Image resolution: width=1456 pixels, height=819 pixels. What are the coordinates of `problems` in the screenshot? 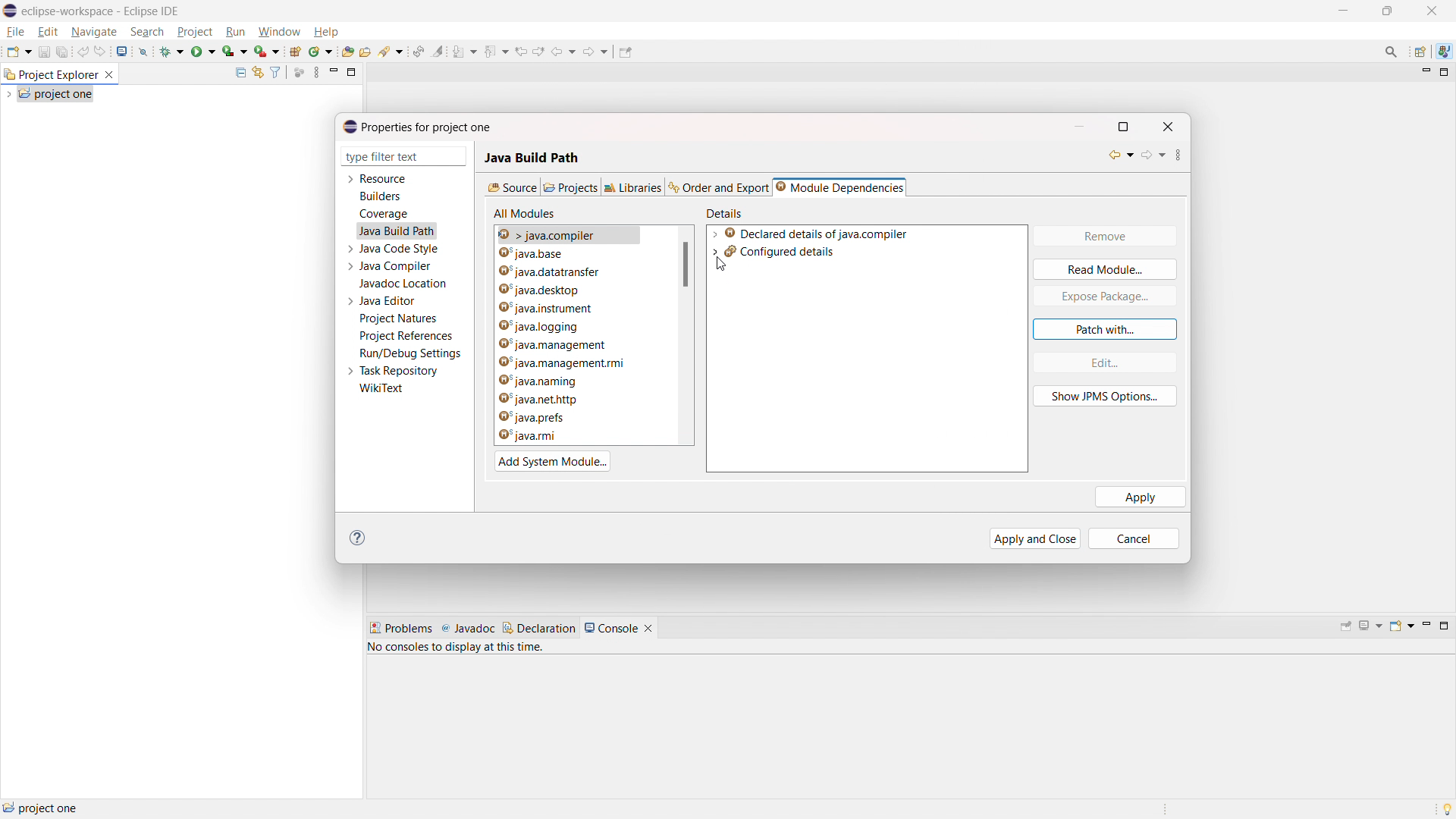 It's located at (400, 629).